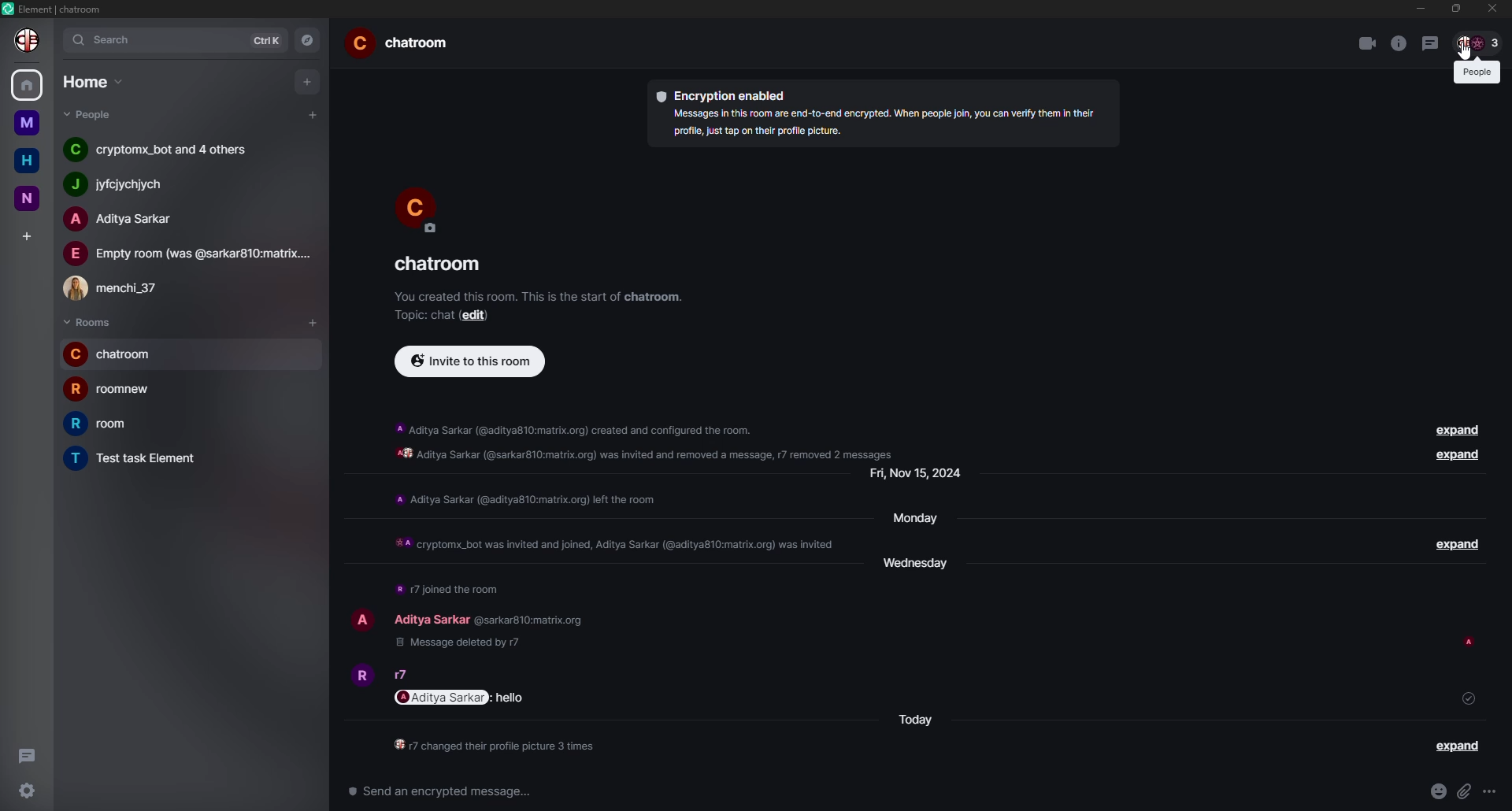 The width and height of the screenshot is (1512, 811). What do you see at coordinates (97, 114) in the screenshot?
I see `people` at bounding box center [97, 114].